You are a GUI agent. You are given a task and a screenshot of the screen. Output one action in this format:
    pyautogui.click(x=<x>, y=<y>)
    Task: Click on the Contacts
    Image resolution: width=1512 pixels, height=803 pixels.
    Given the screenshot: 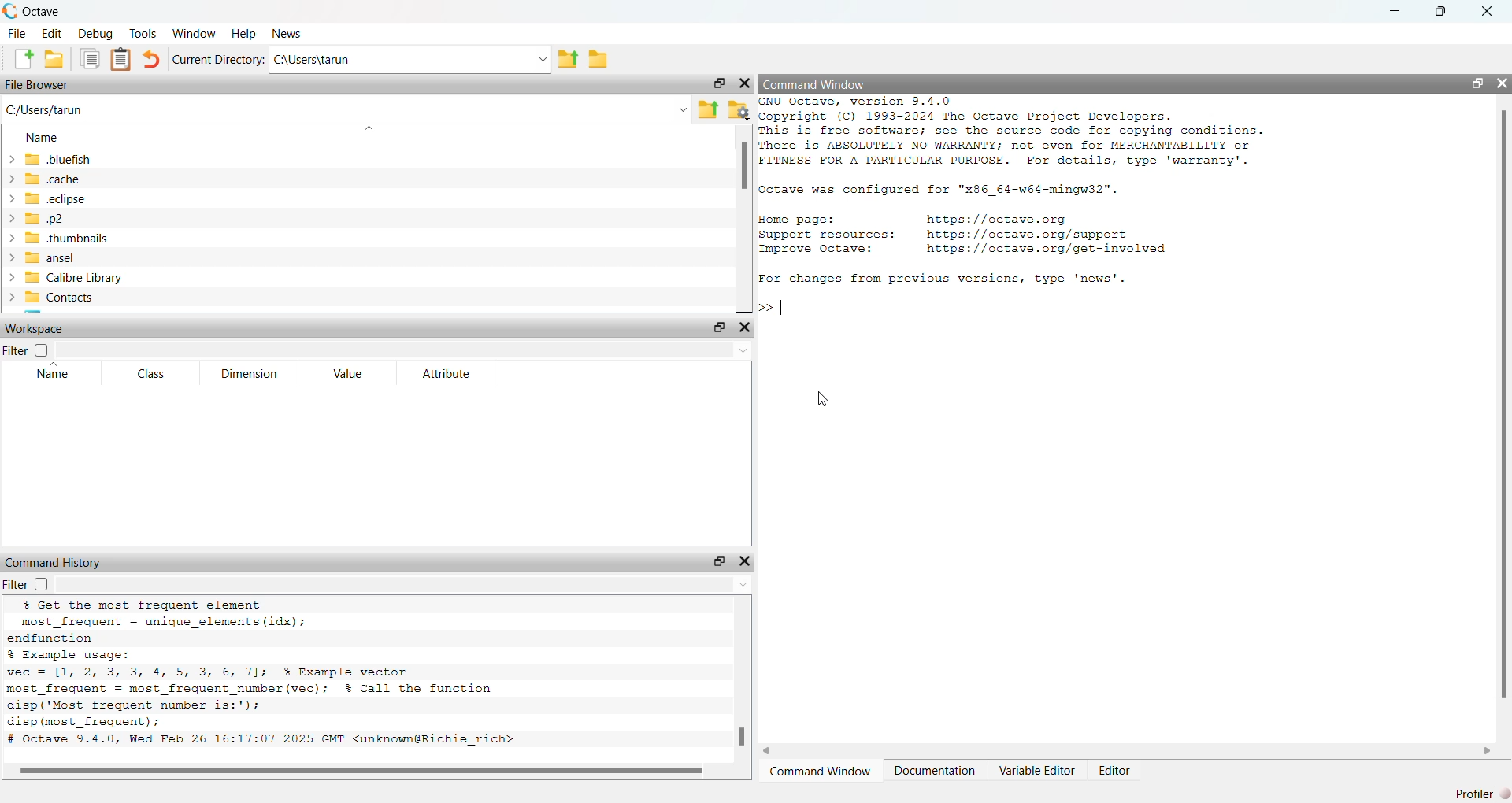 What is the action you would take?
    pyautogui.click(x=62, y=298)
    